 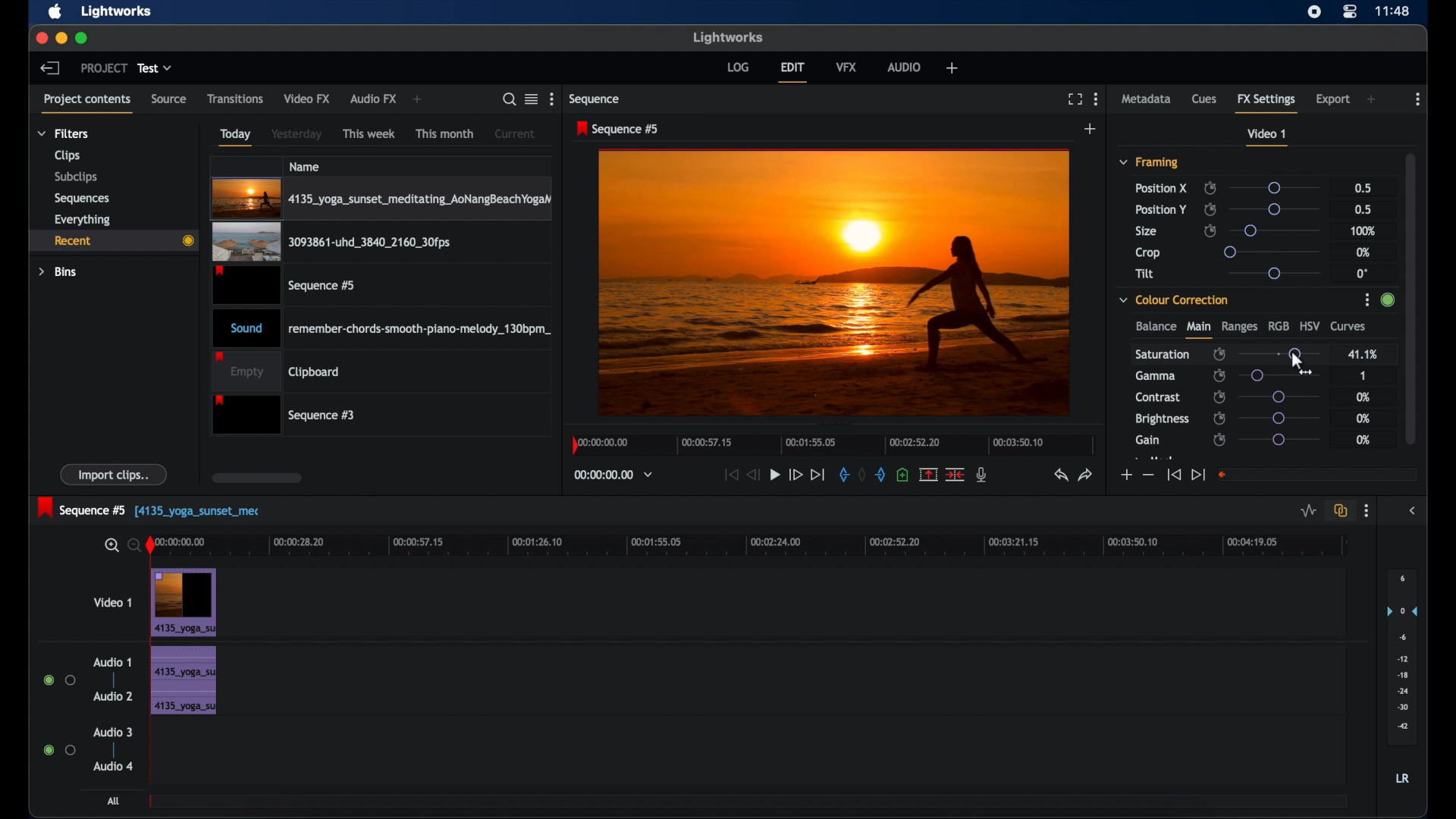 I want to click on slider, so click(x=1284, y=375).